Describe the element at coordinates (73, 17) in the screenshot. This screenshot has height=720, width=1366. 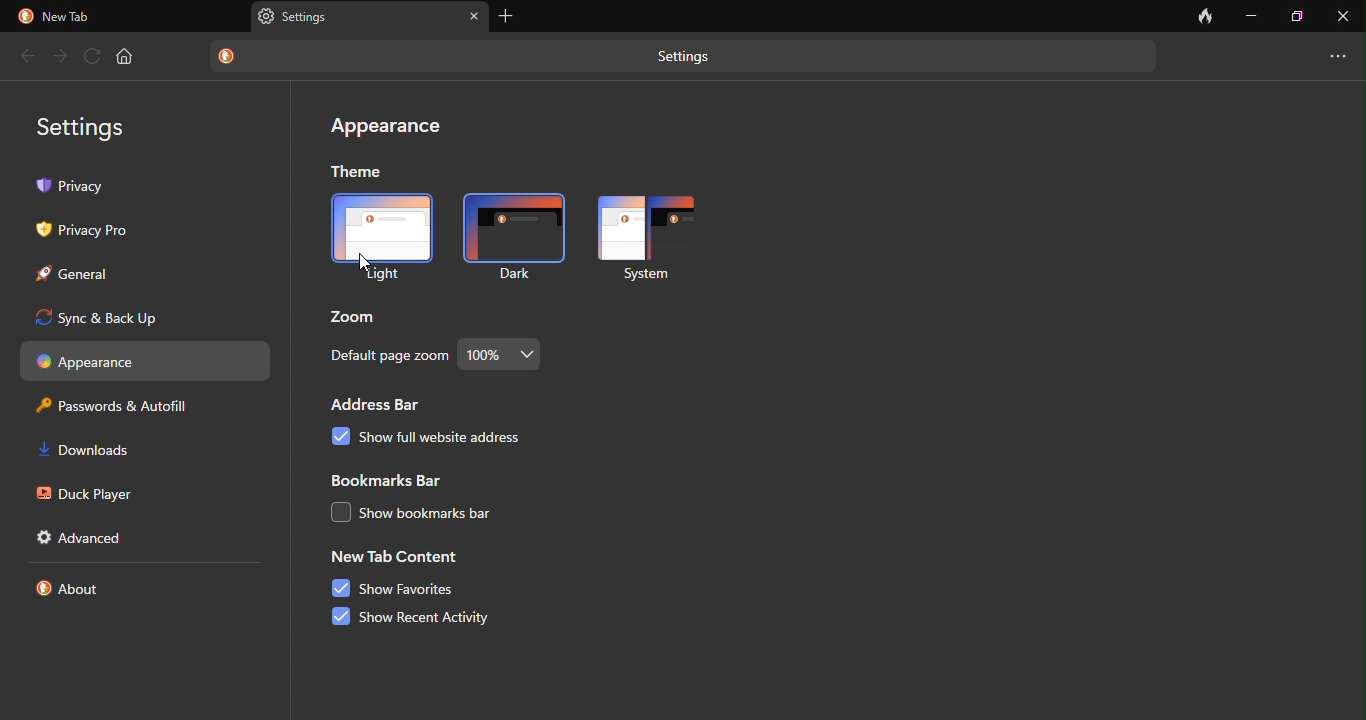
I see `new tab ` at that location.